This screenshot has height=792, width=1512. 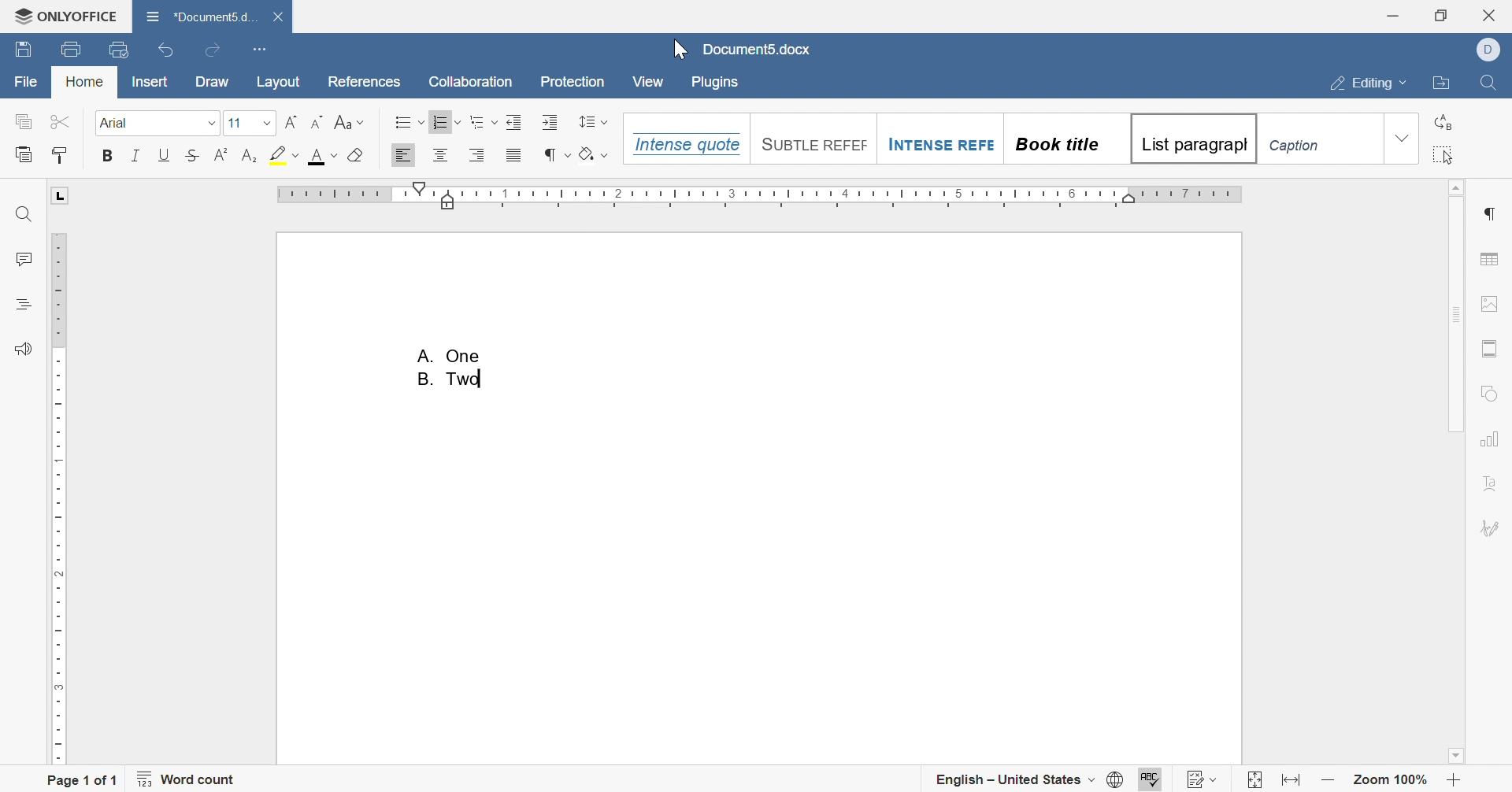 I want to click on onlyoffice, so click(x=66, y=17).